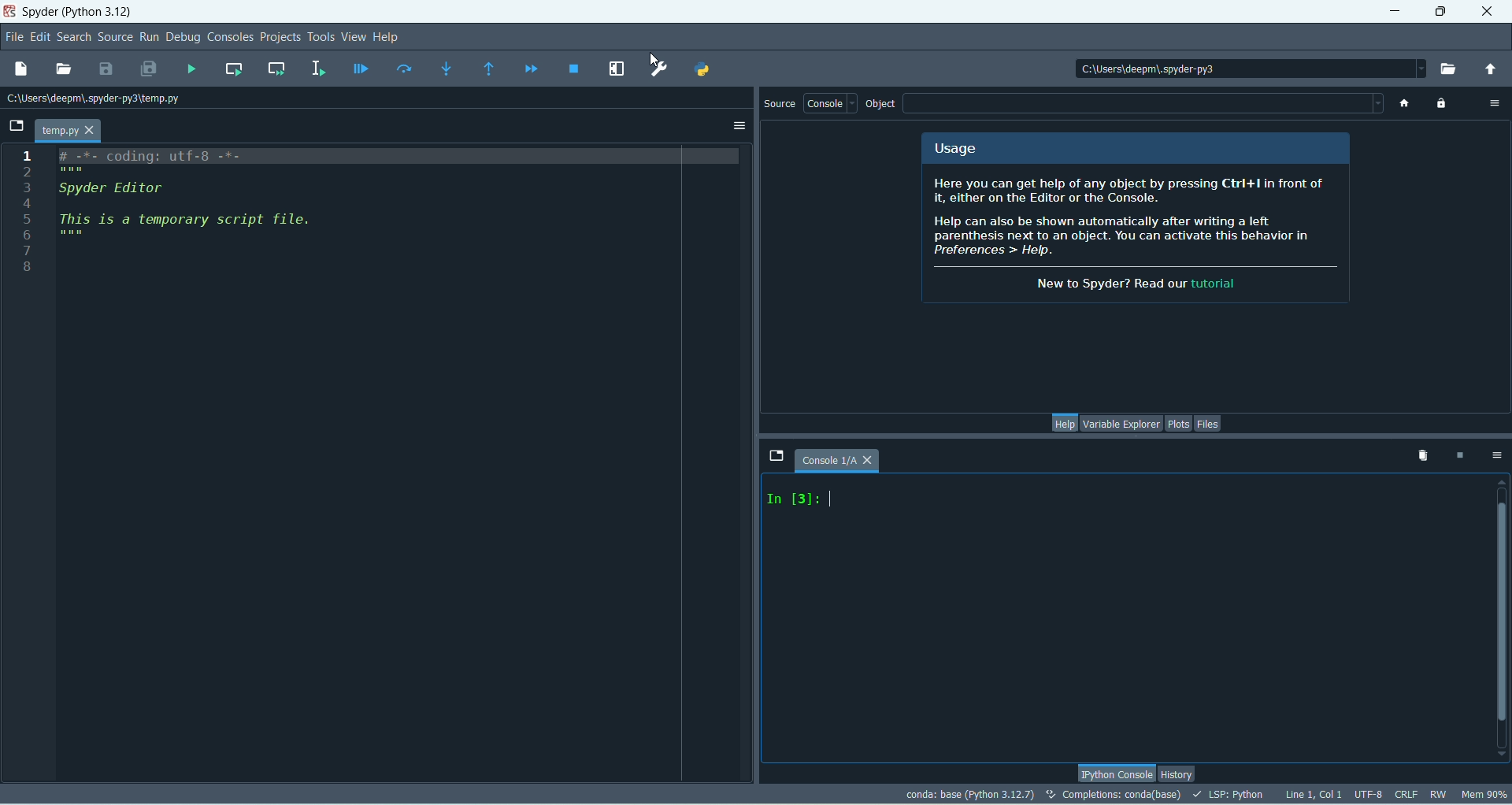  I want to click on open, so click(63, 69).